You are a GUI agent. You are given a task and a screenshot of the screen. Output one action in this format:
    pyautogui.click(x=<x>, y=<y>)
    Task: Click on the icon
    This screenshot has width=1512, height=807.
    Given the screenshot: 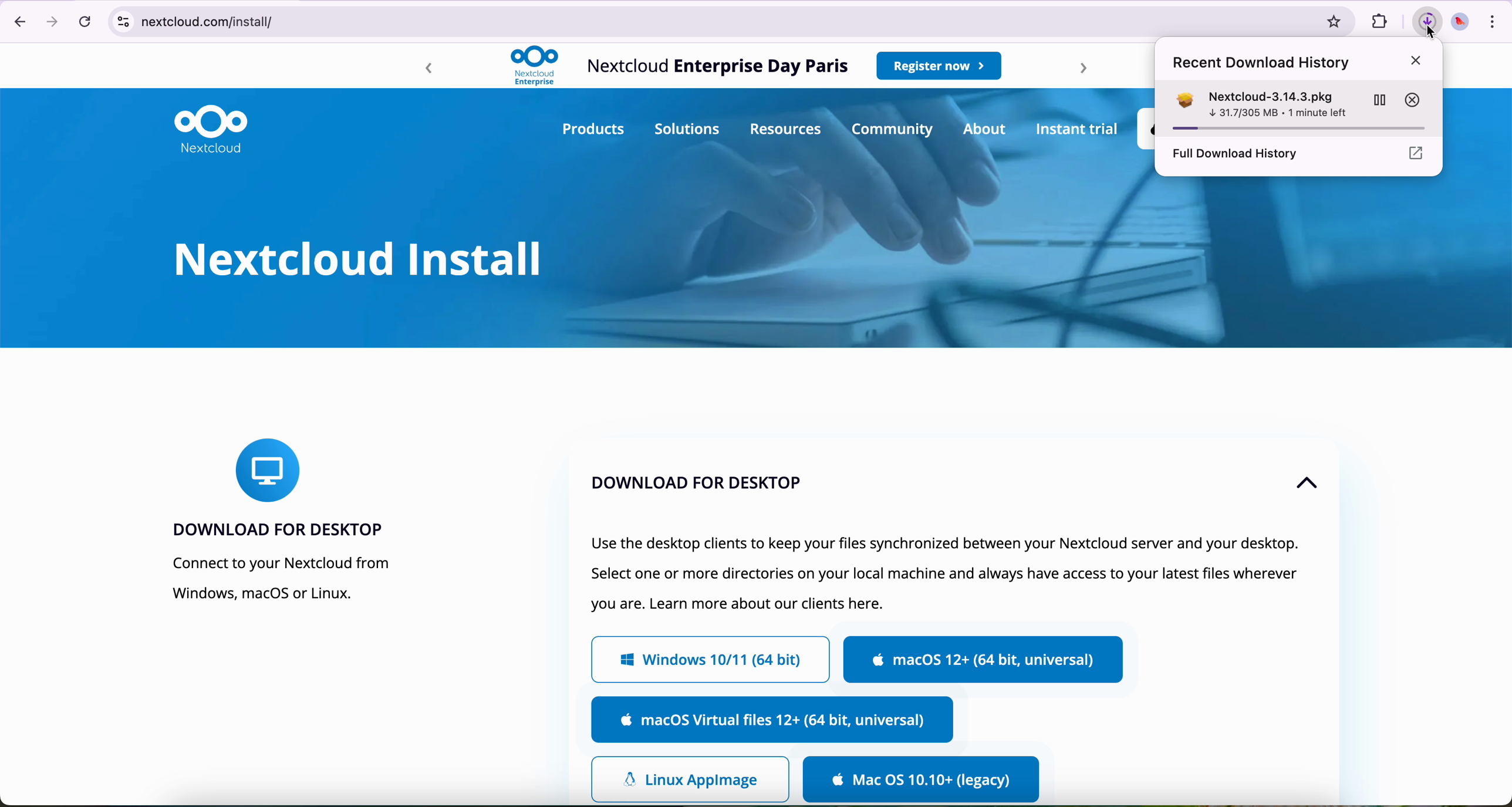 What is the action you would take?
    pyautogui.click(x=268, y=467)
    